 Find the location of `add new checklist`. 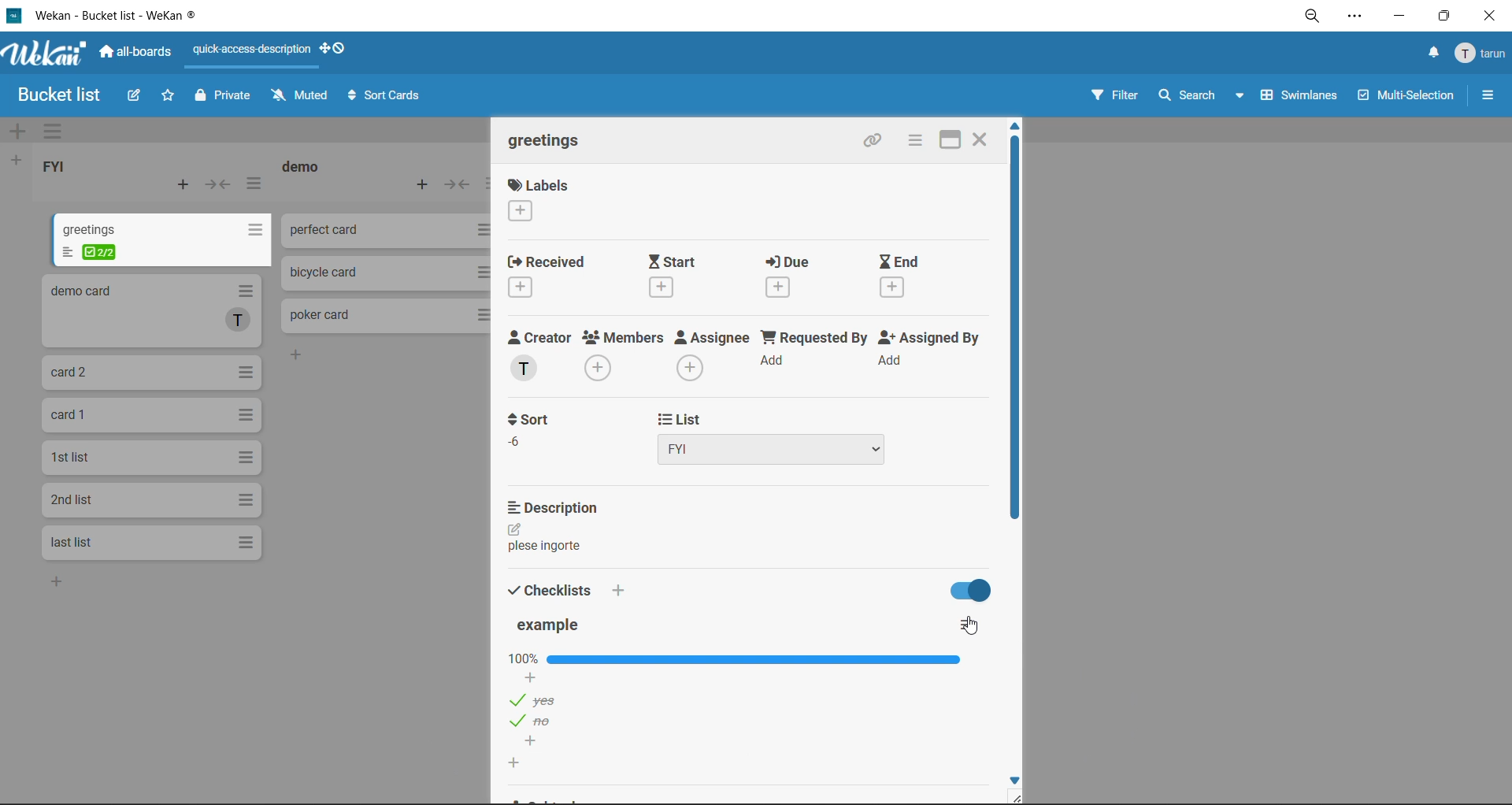

add new checklist is located at coordinates (517, 763).